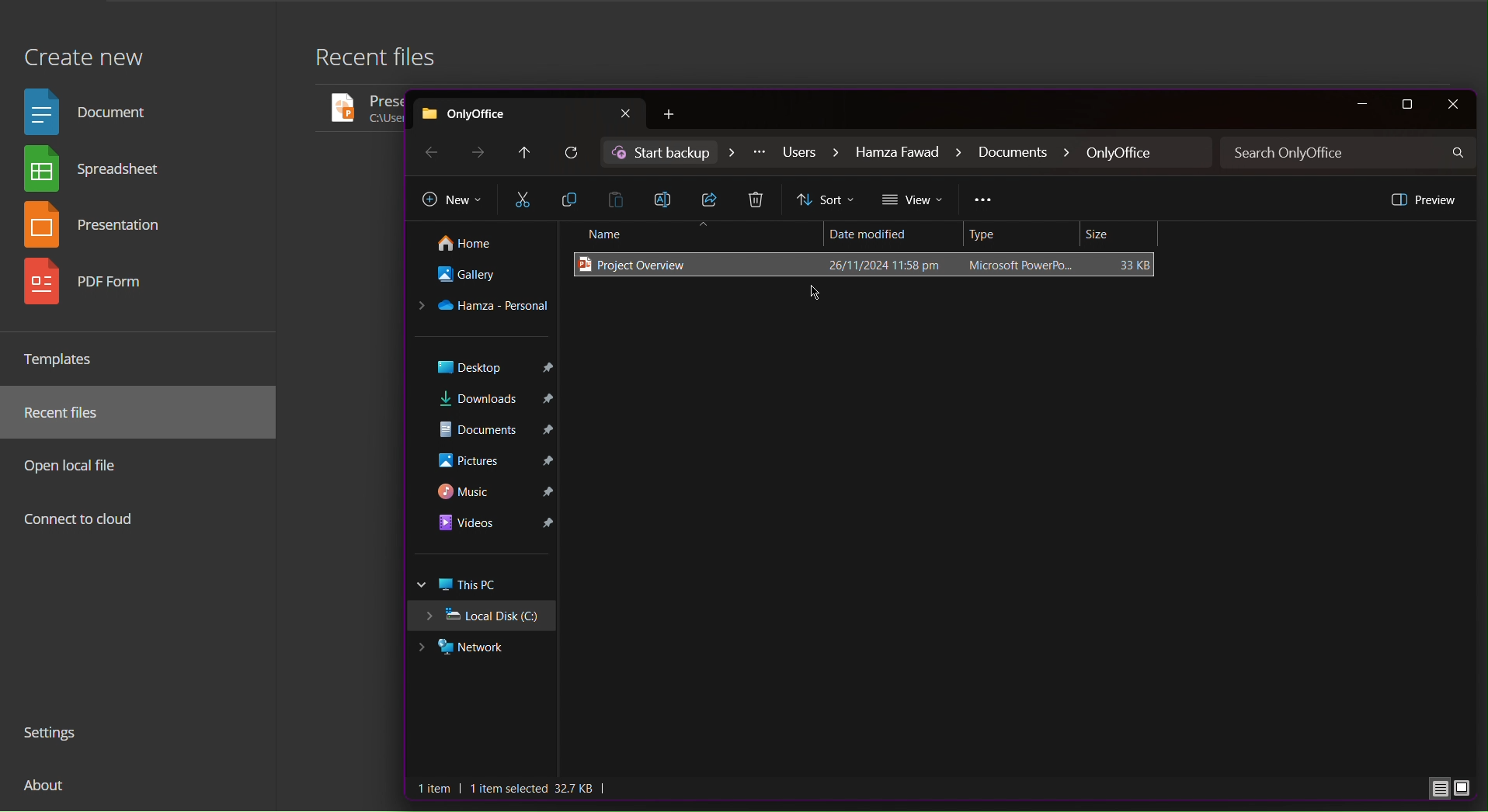 This screenshot has width=1488, height=812. What do you see at coordinates (385, 61) in the screenshot?
I see `Recent files` at bounding box center [385, 61].